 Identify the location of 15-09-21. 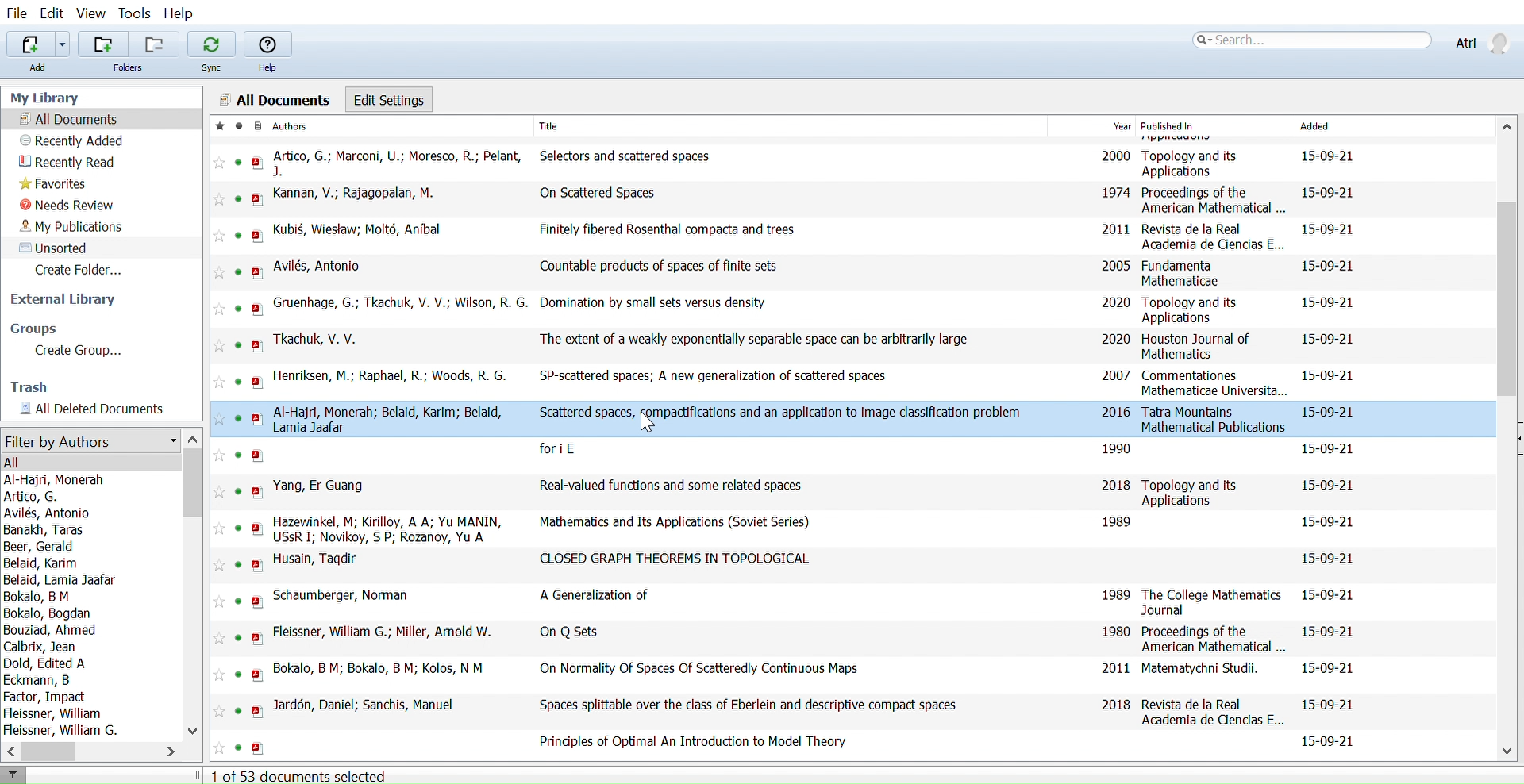
(1327, 484).